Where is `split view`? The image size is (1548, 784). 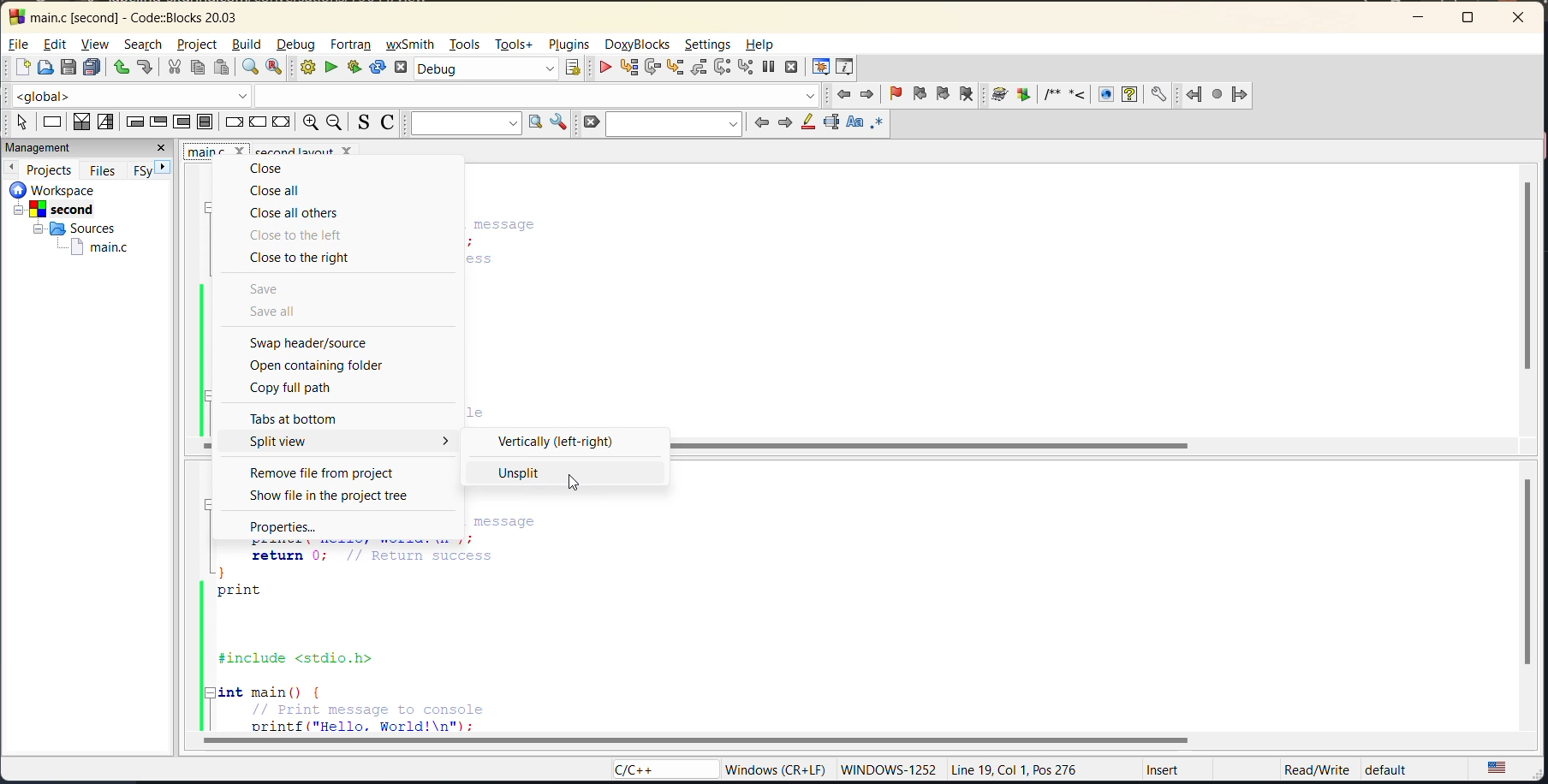 split view is located at coordinates (289, 441).